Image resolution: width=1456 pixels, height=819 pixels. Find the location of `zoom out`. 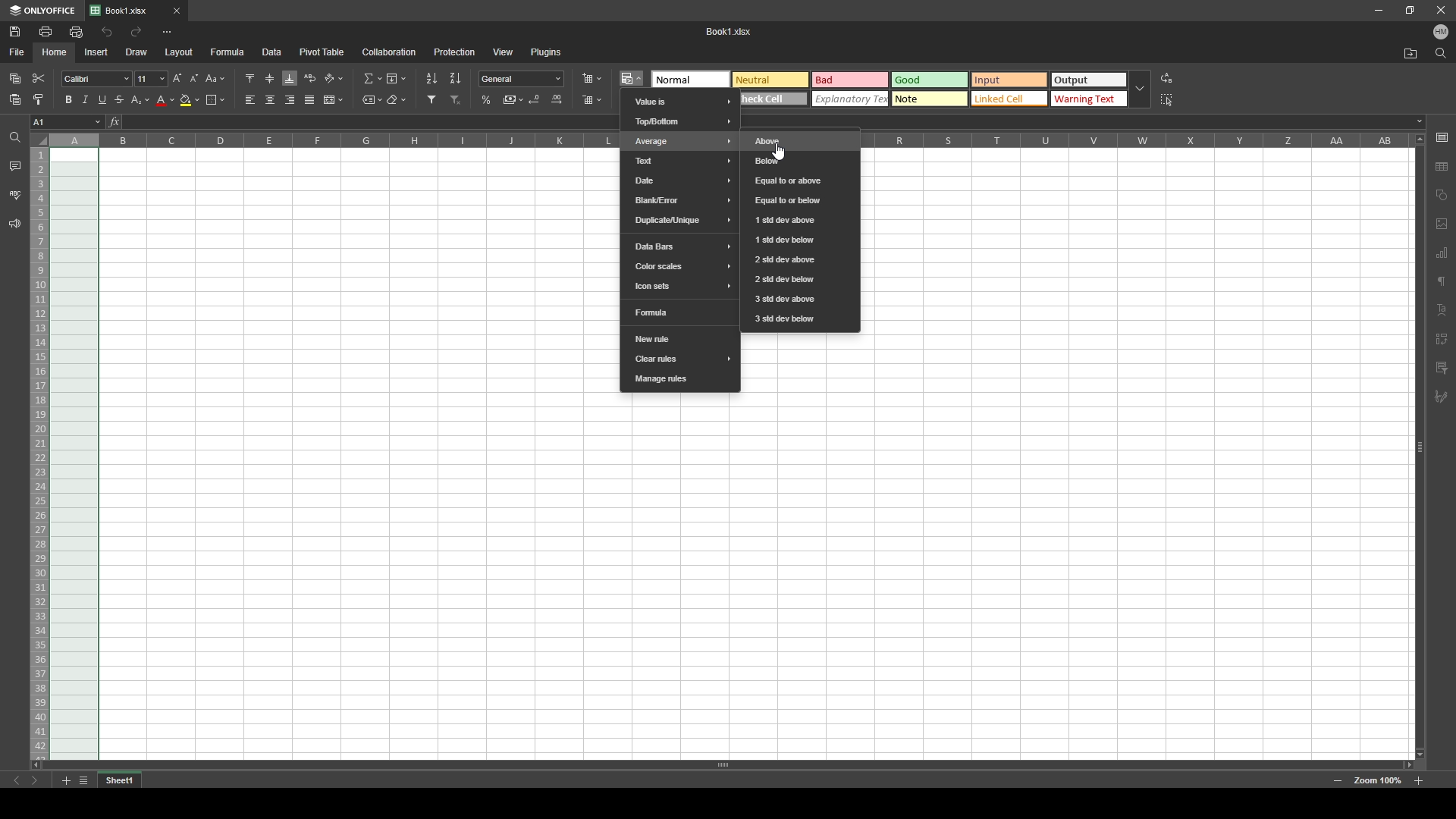

zoom out is located at coordinates (1338, 782).